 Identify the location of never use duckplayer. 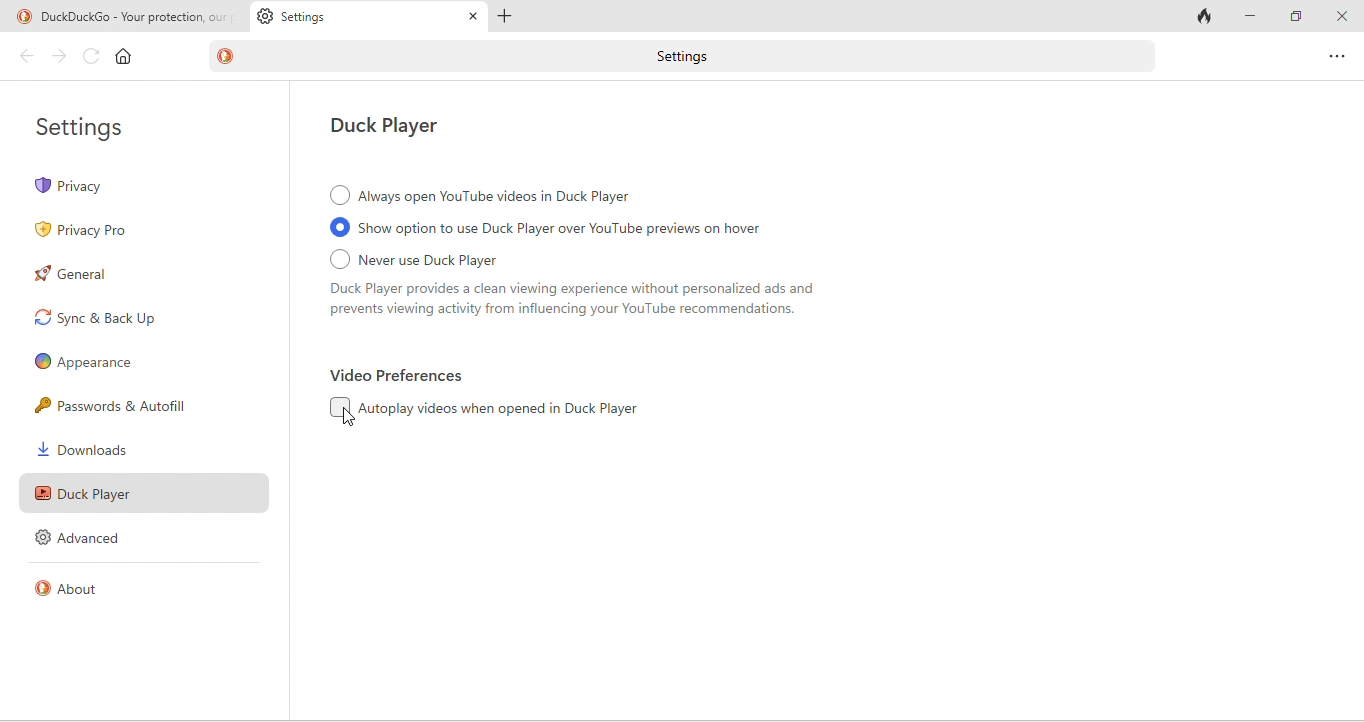
(610, 288).